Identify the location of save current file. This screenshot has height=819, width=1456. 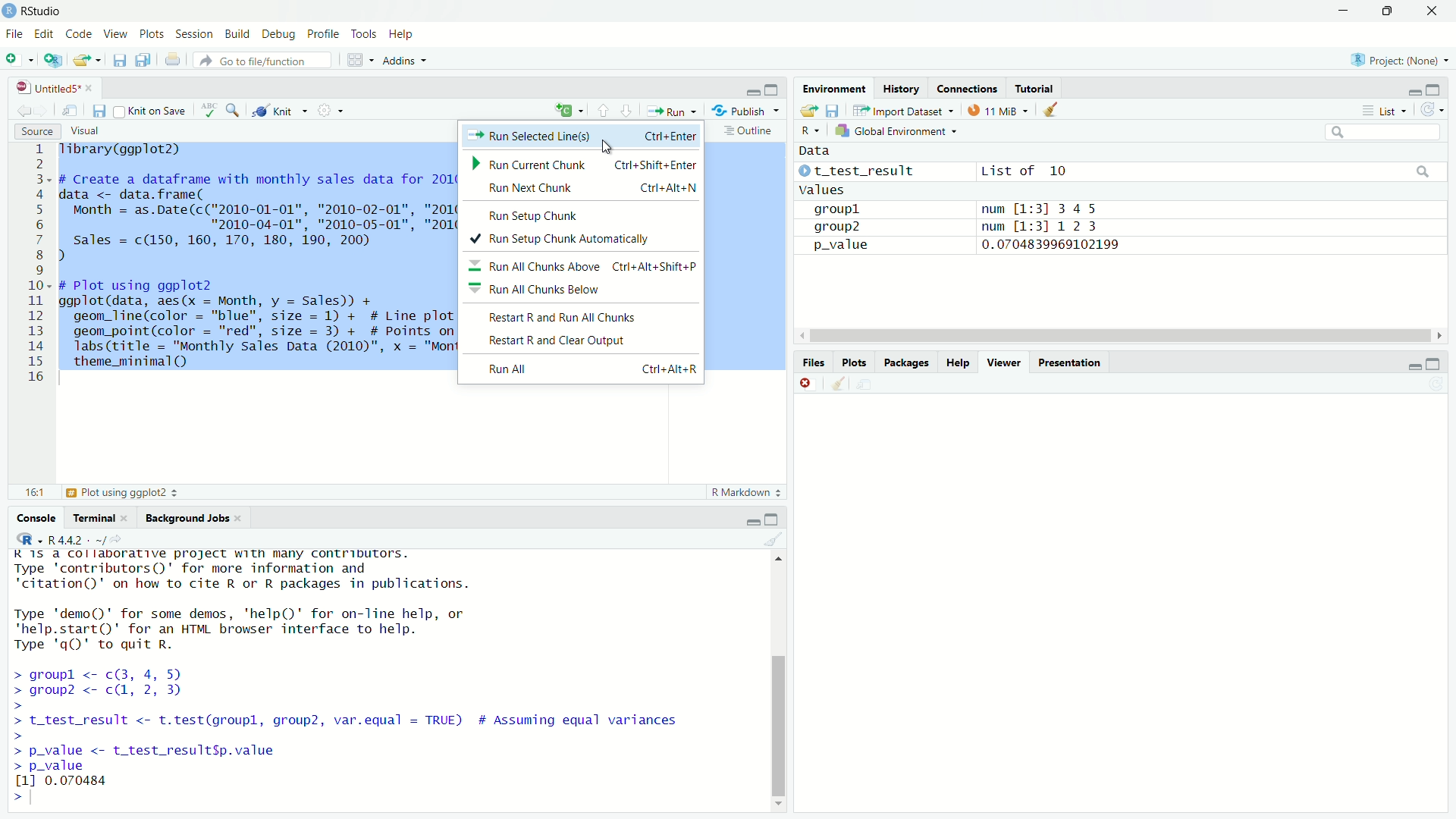
(120, 61).